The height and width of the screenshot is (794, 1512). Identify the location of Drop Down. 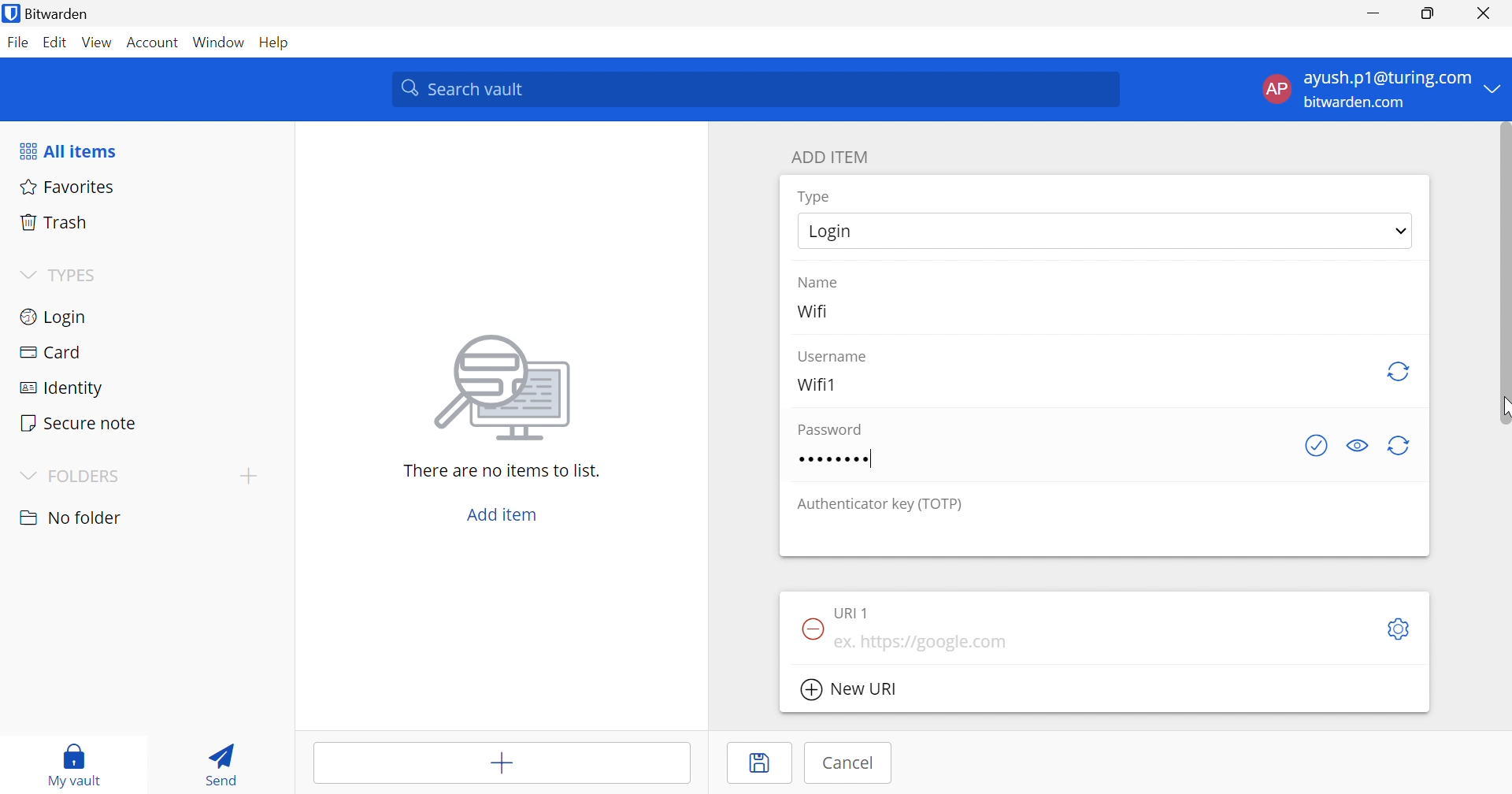
(25, 477).